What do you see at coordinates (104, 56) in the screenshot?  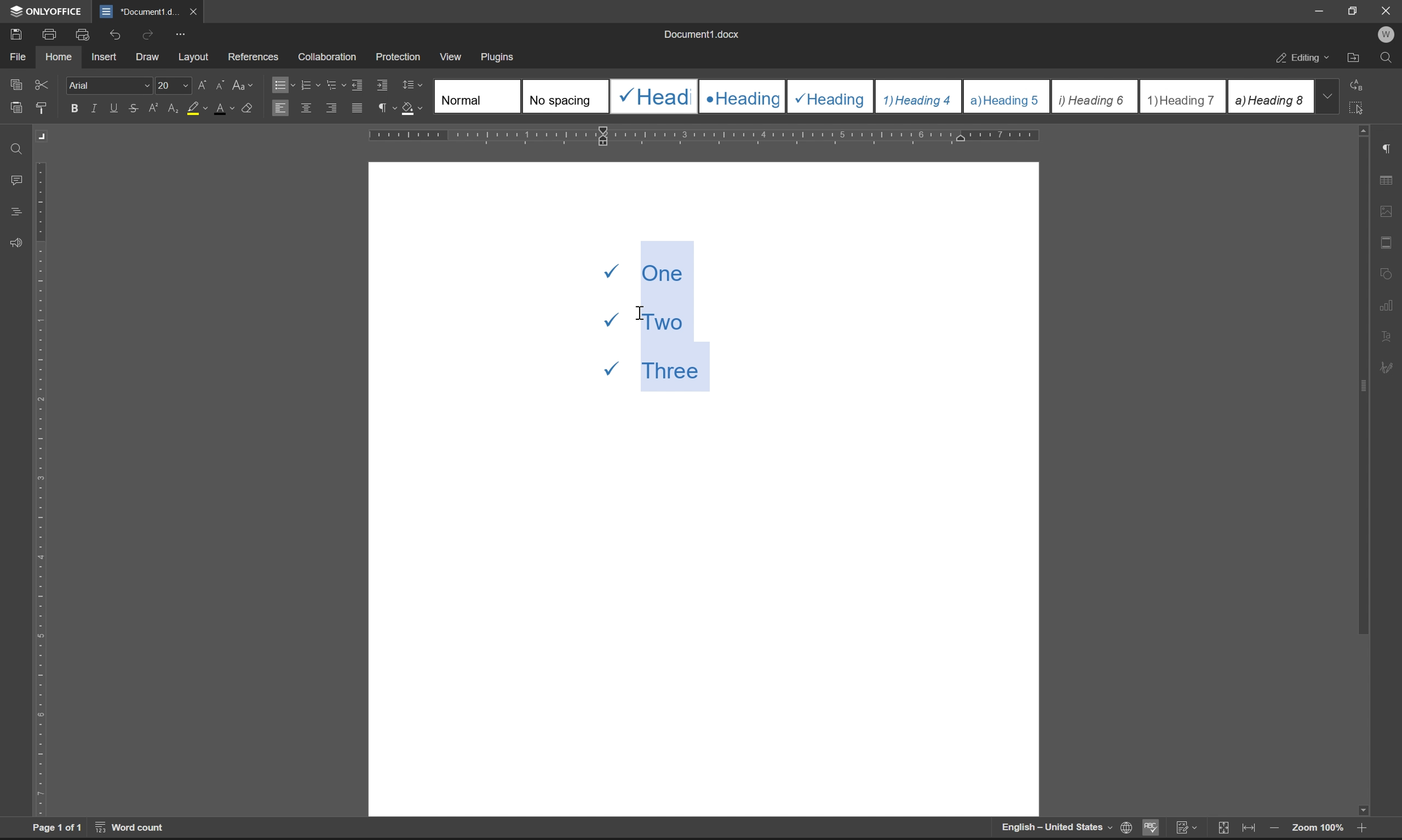 I see `insert` at bounding box center [104, 56].